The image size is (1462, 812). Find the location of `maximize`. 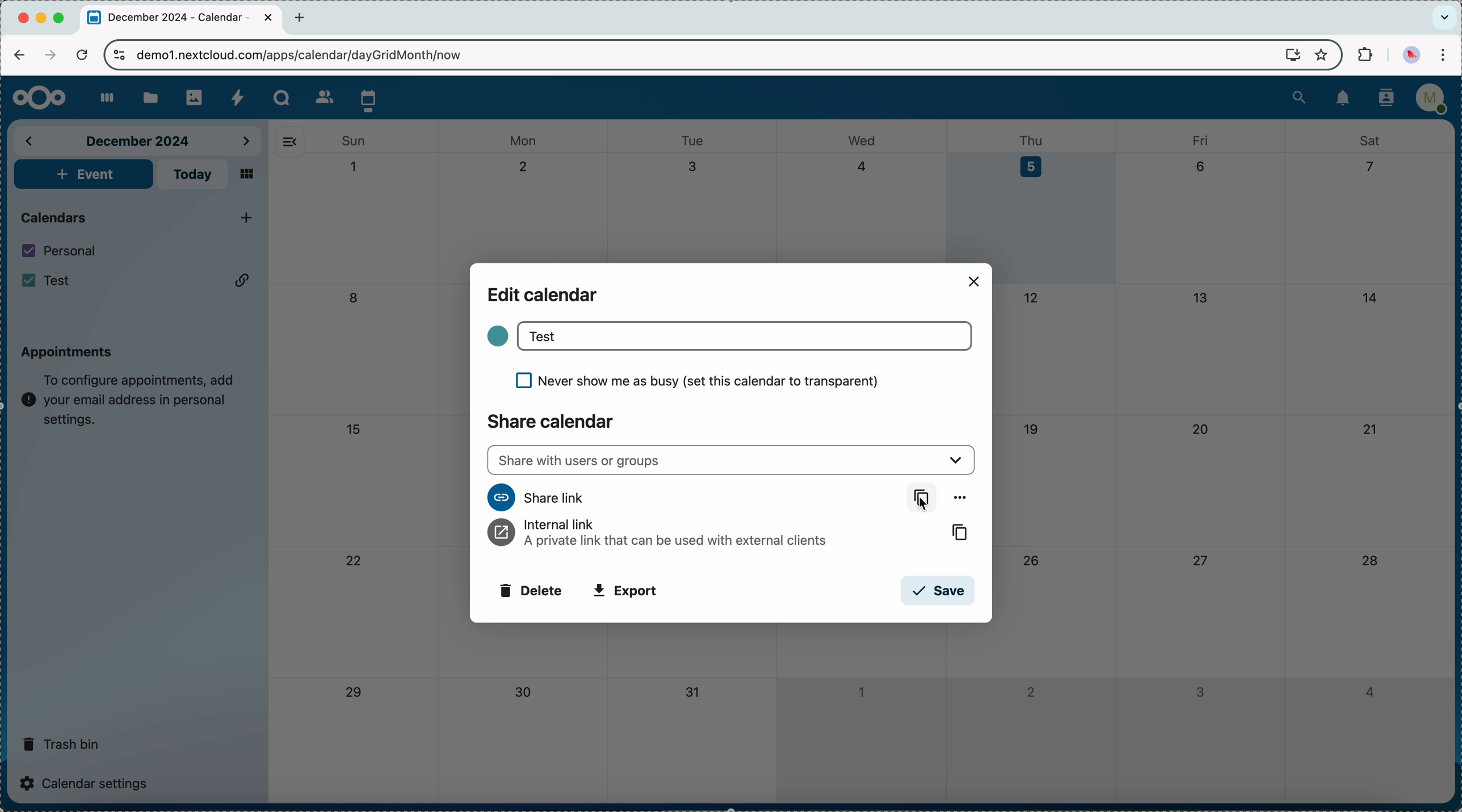

maximize is located at coordinates (61, 18).